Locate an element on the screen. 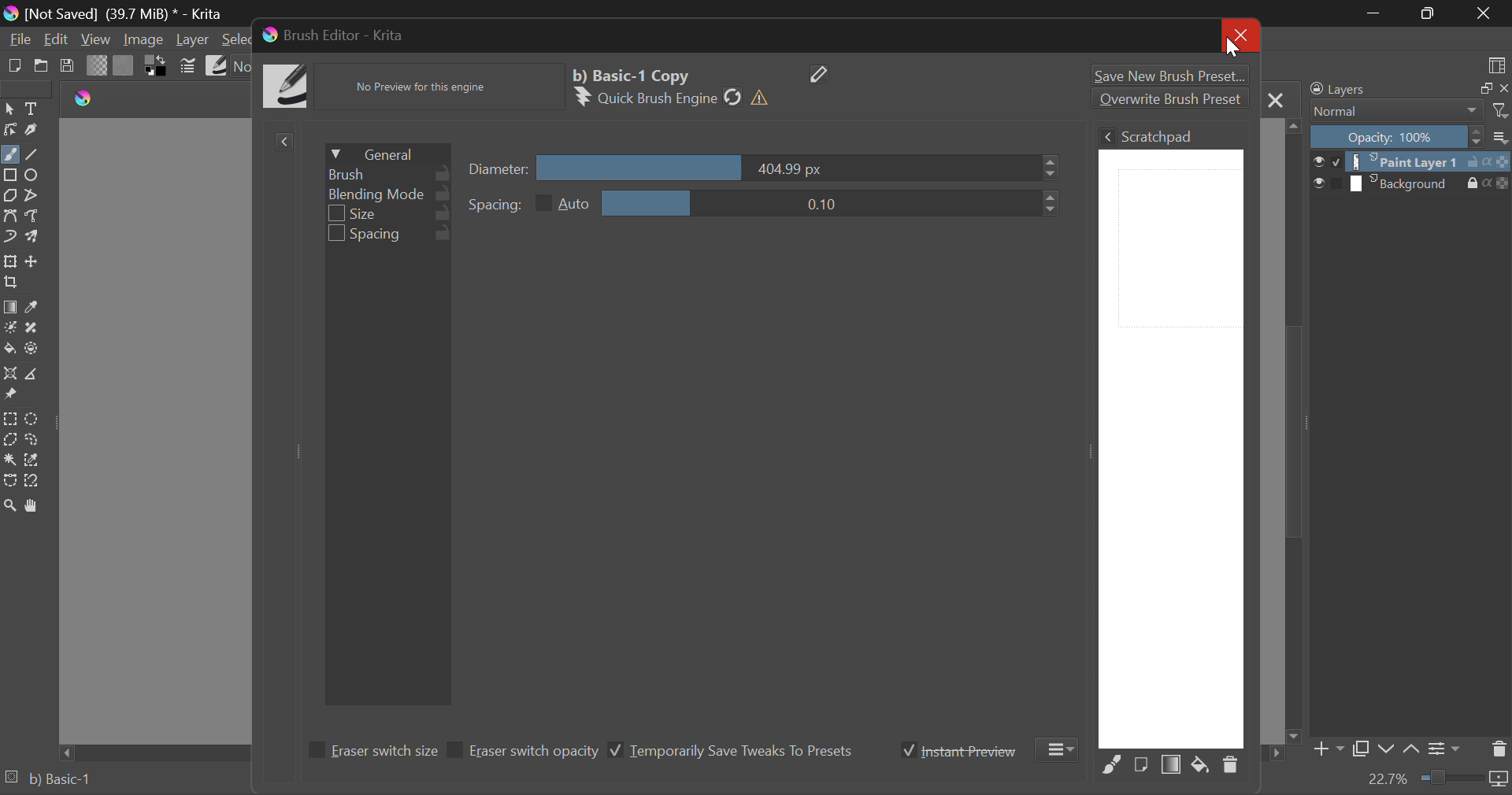 This screenshot has height=795, width=1512. Edit Shapes is located at coordinates (9, 129).